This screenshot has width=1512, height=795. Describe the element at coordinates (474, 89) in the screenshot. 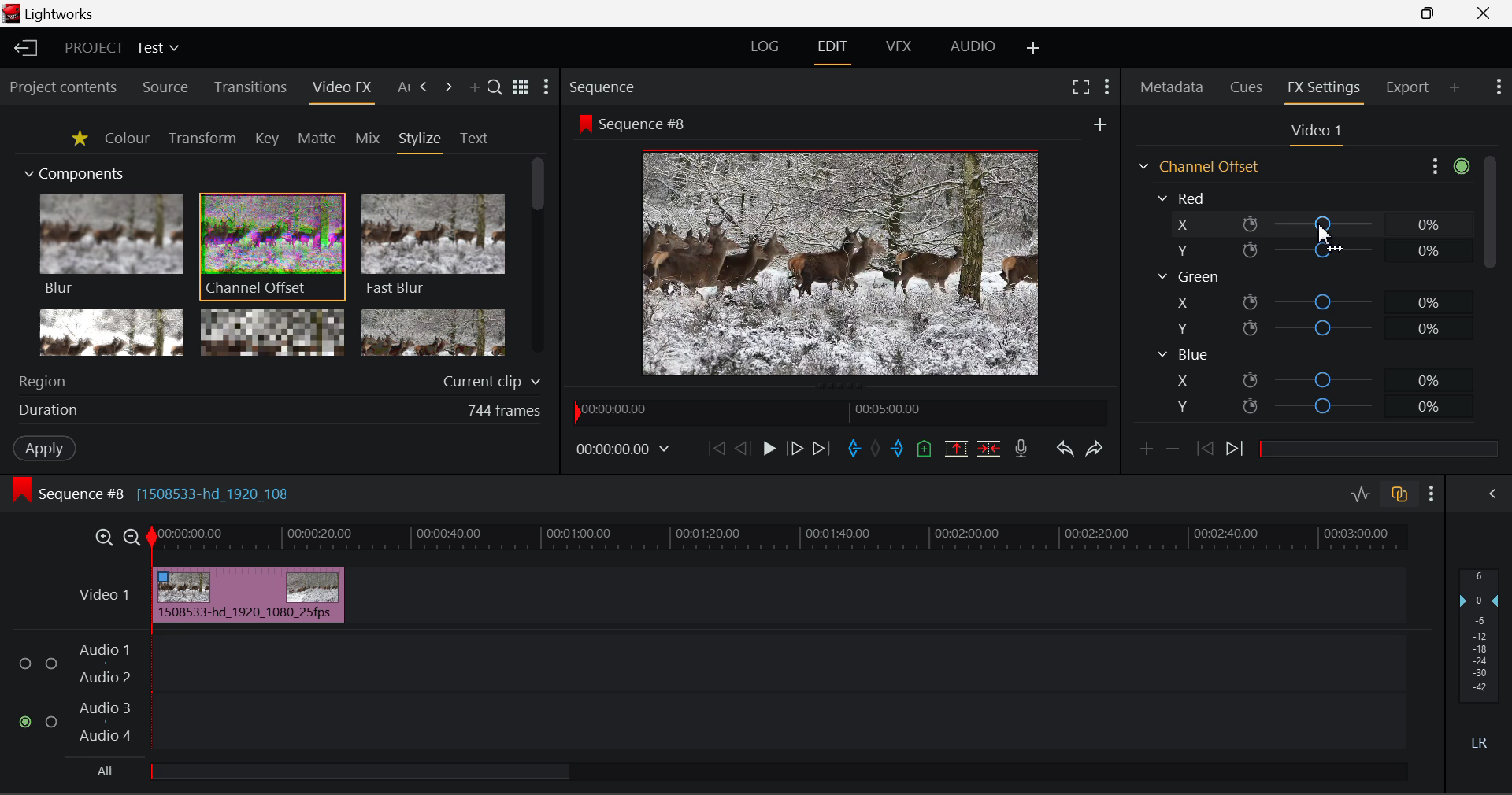

I see `Add Panel` at that location.